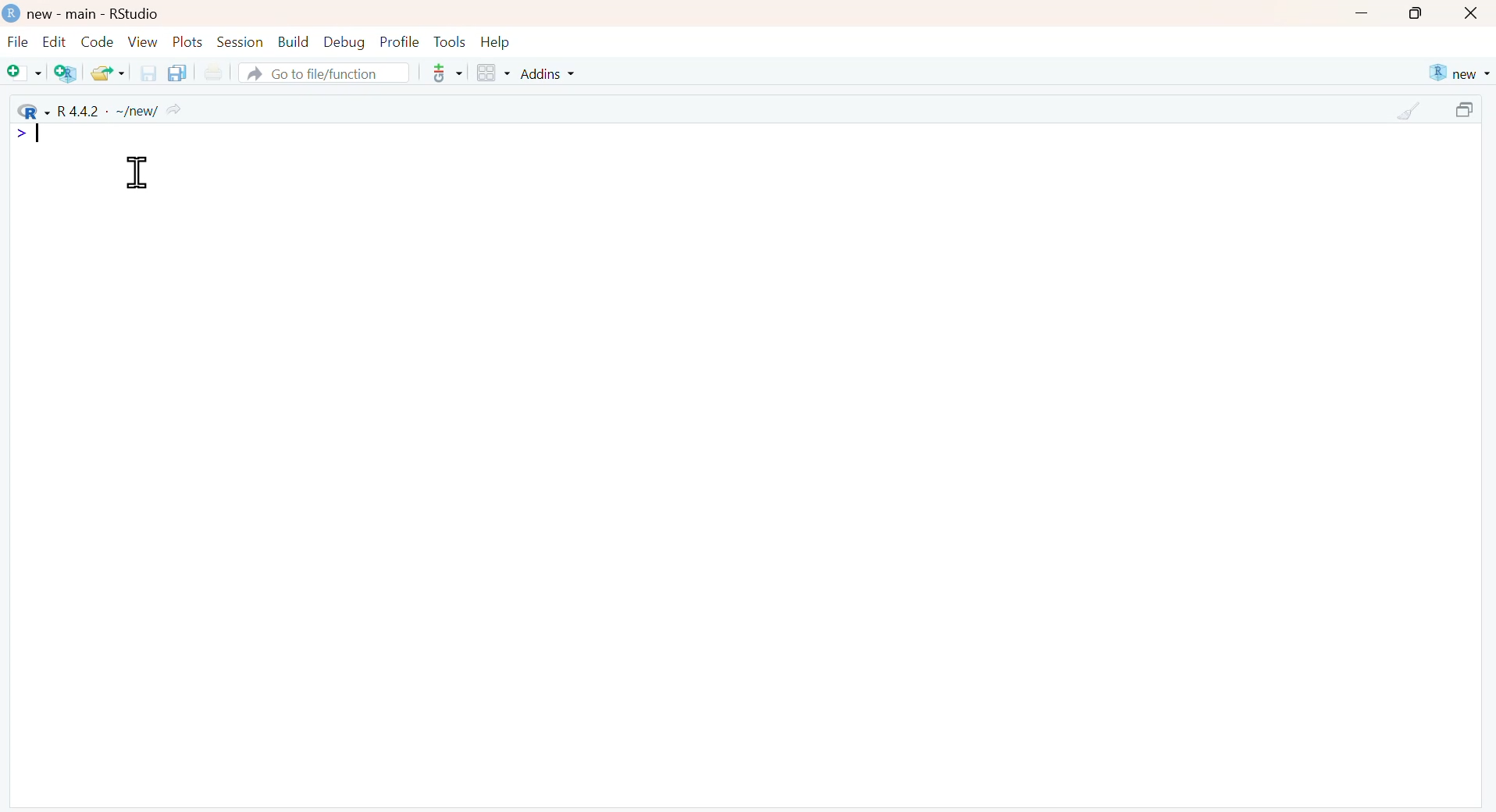 The width and height of the screenshot is (1496, 812). I want to click on Debug, so click(343, 41).